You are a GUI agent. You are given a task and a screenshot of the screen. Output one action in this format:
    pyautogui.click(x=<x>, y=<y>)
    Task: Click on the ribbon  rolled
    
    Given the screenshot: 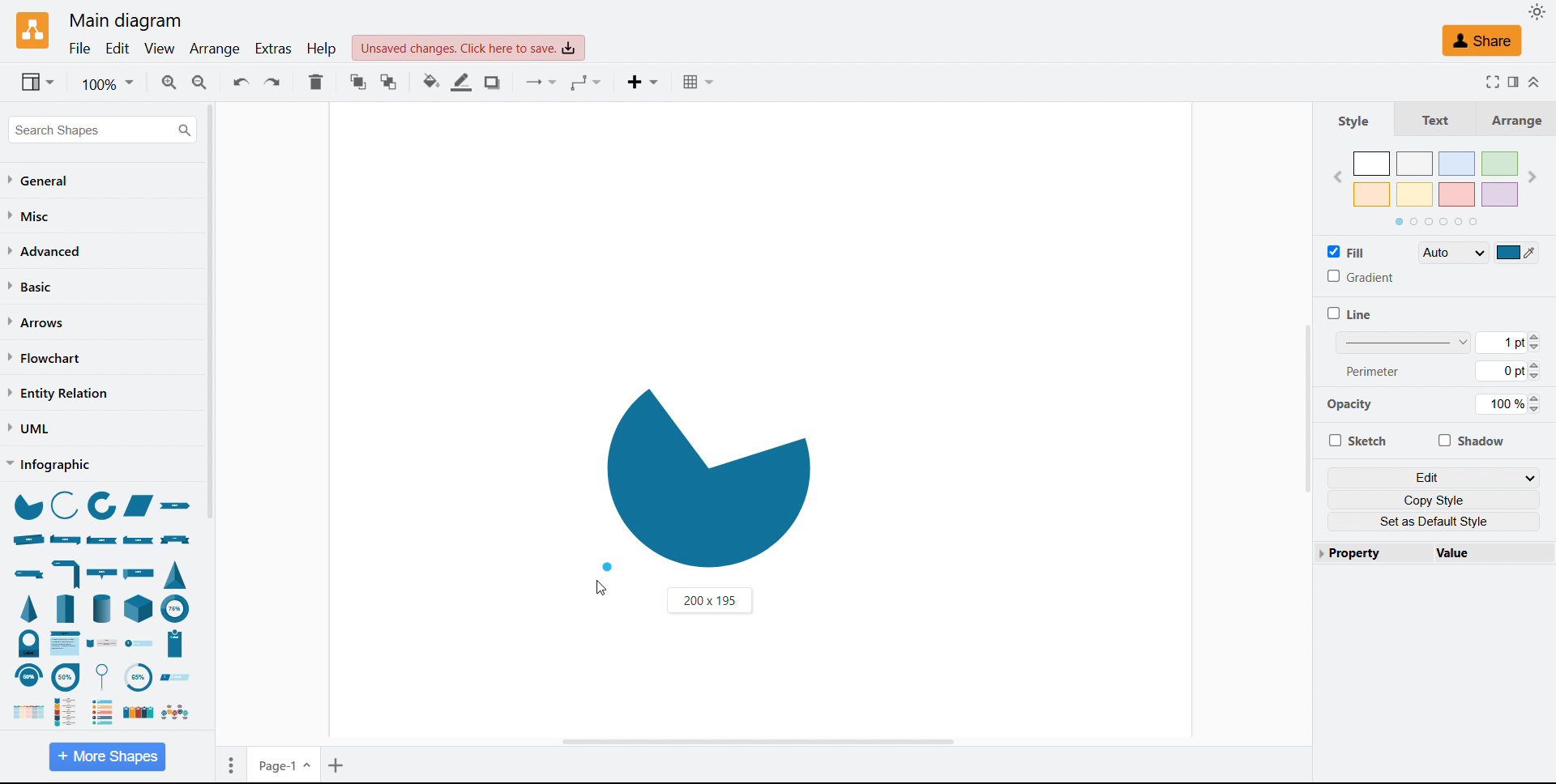 What is the action you would take?
    pyautogui.click(x=28, y=539)
    